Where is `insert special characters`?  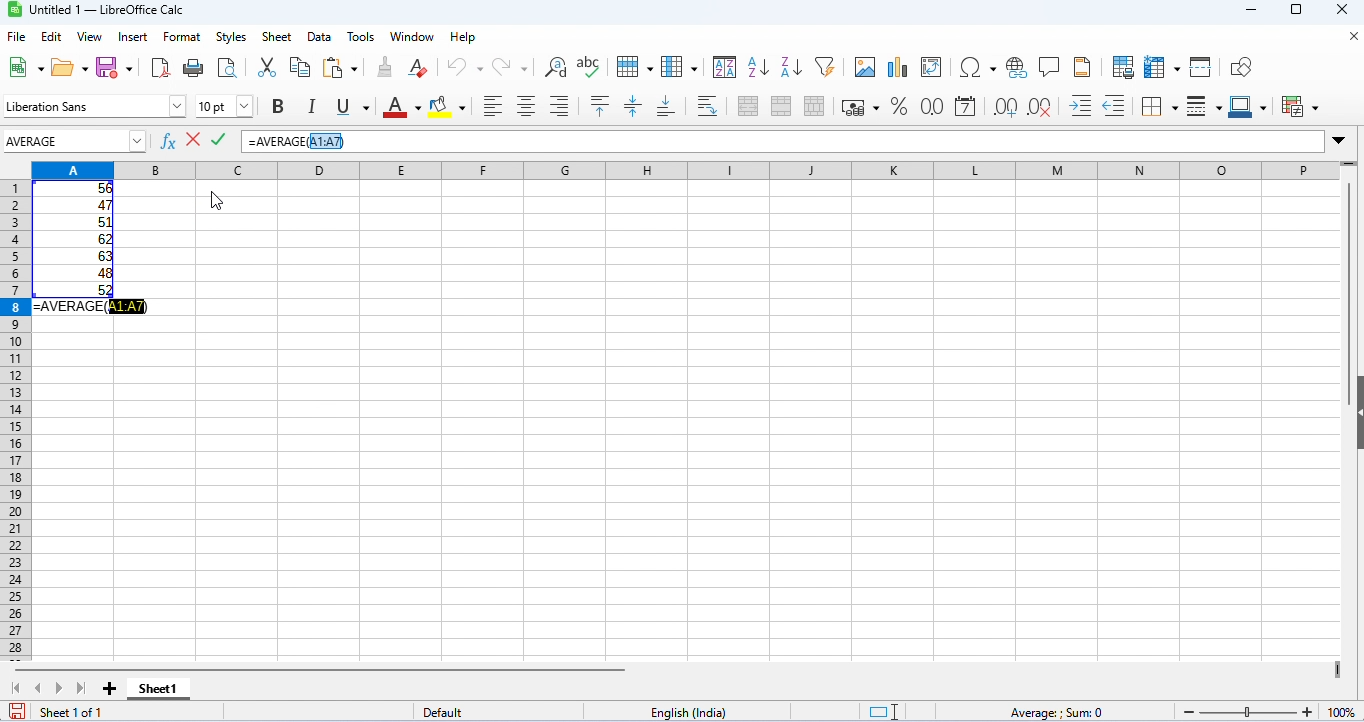
insert special characters is located at coordinates (978, 67).